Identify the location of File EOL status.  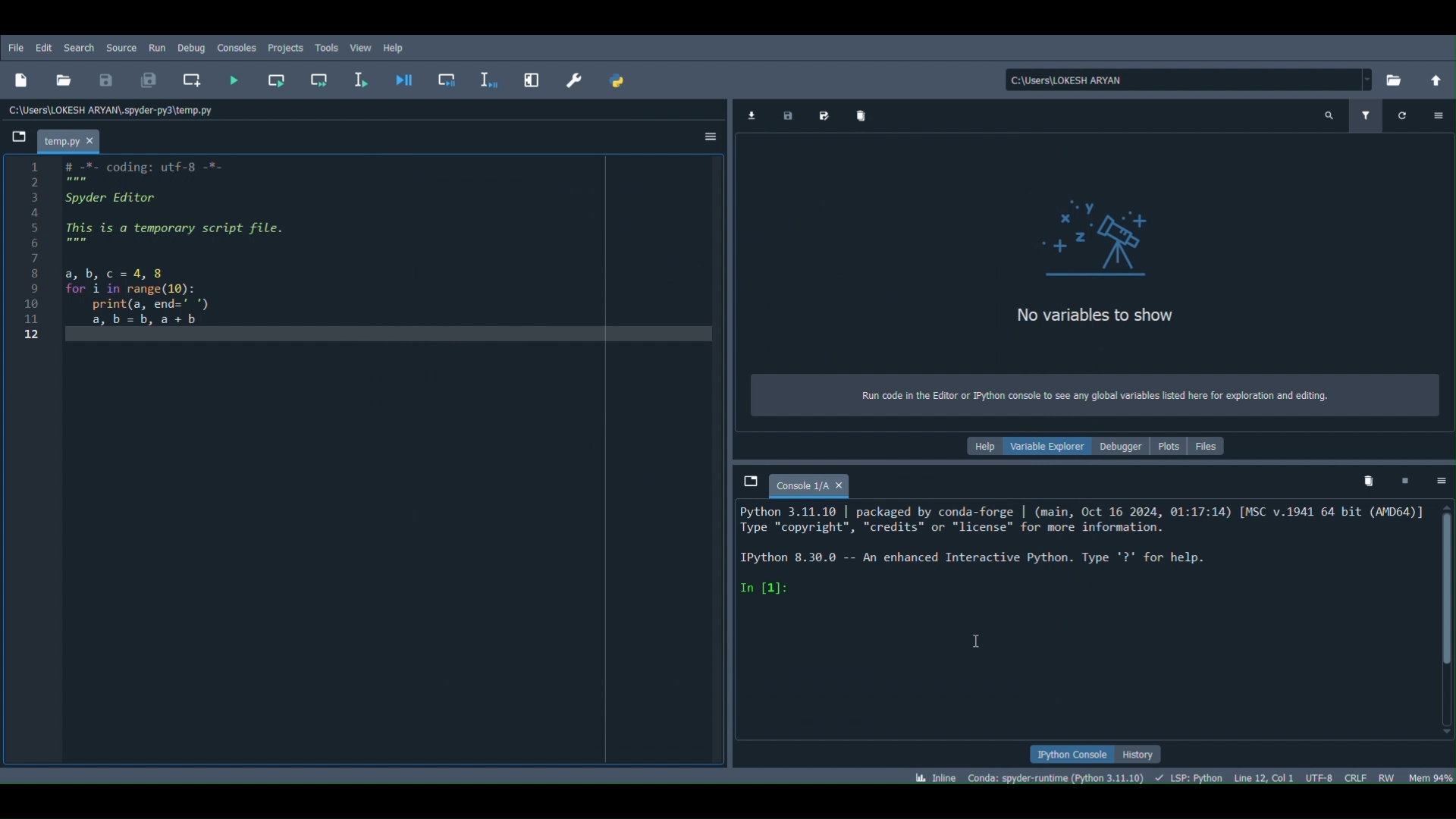
(1354, 779).